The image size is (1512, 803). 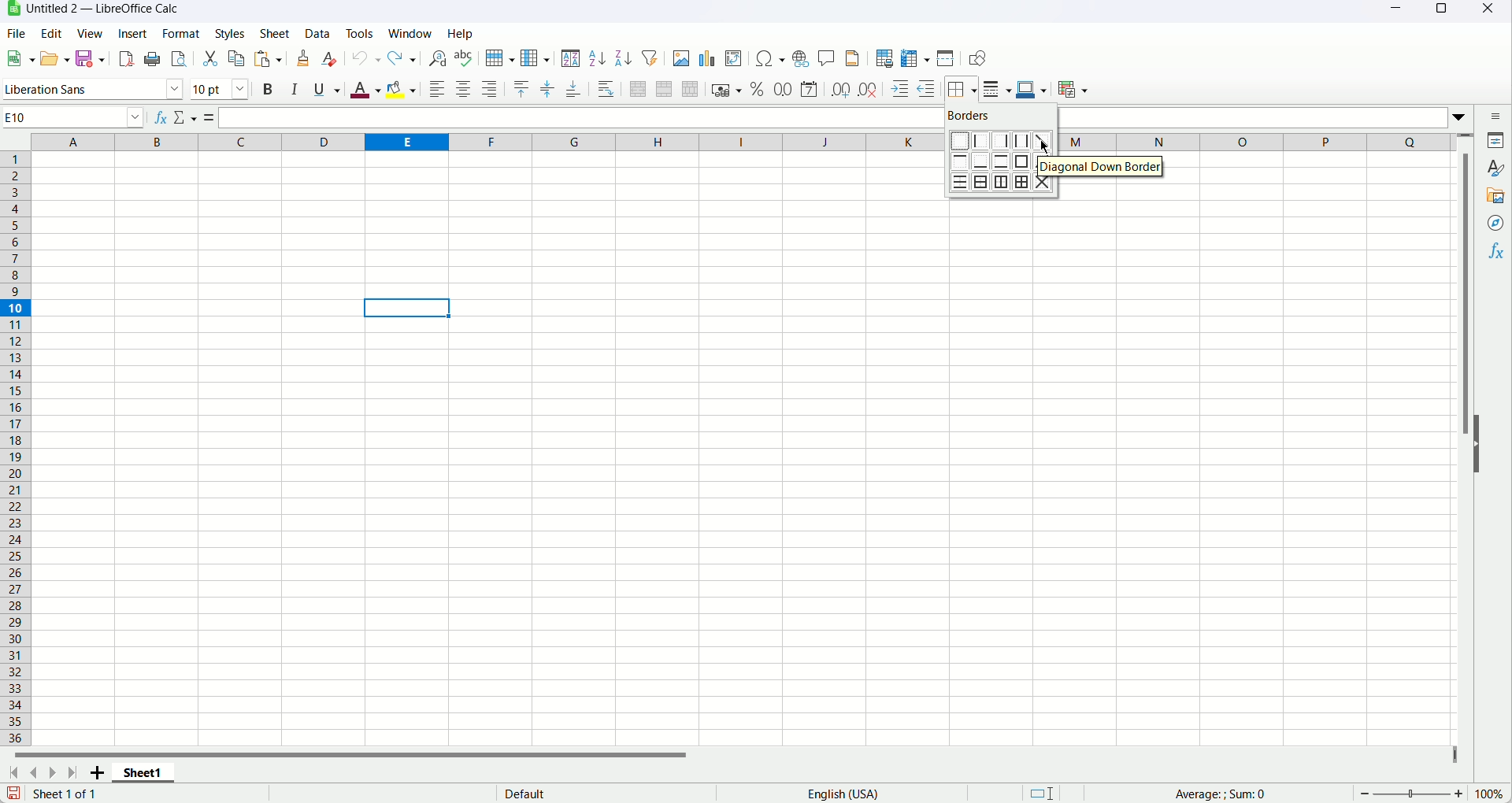 I want to click on Navigator, so click(x=1496, y=223).